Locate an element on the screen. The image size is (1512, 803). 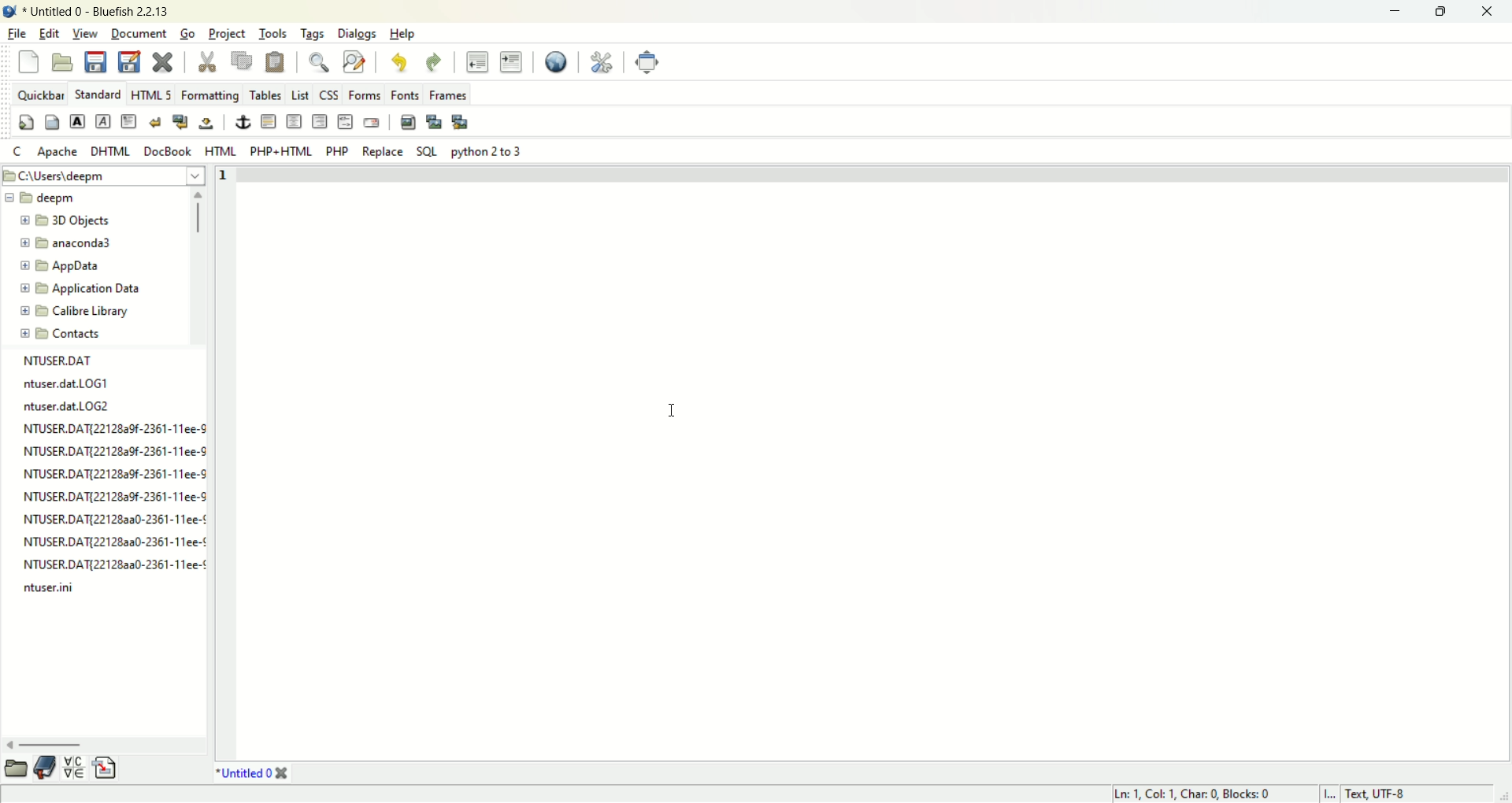
edit is located at coordinates (49, 34).